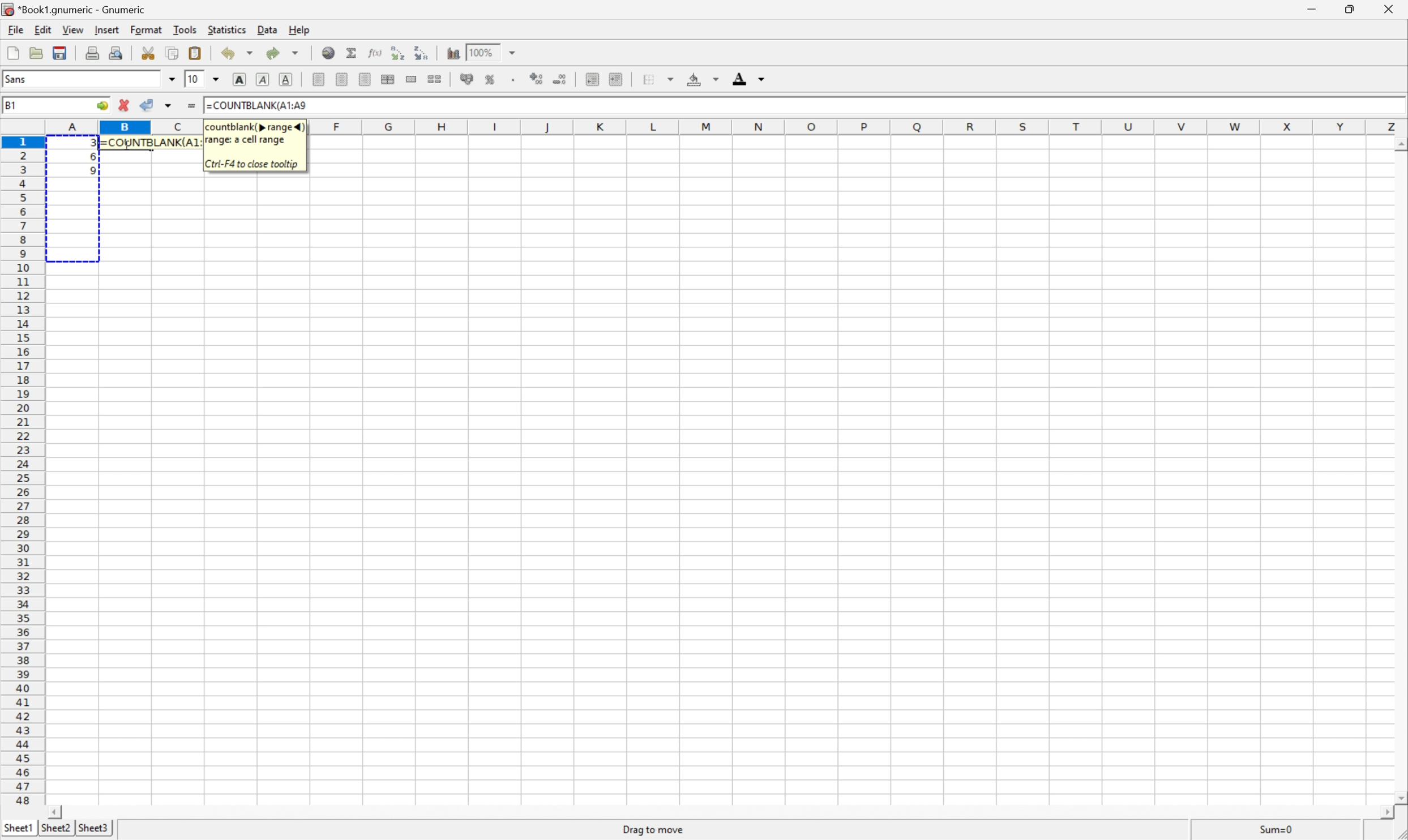 The height and width of the screenshot is (840, 1408). Describe the element at coordinates (15, 78) in the screenshot. I see `Sans` at that location.